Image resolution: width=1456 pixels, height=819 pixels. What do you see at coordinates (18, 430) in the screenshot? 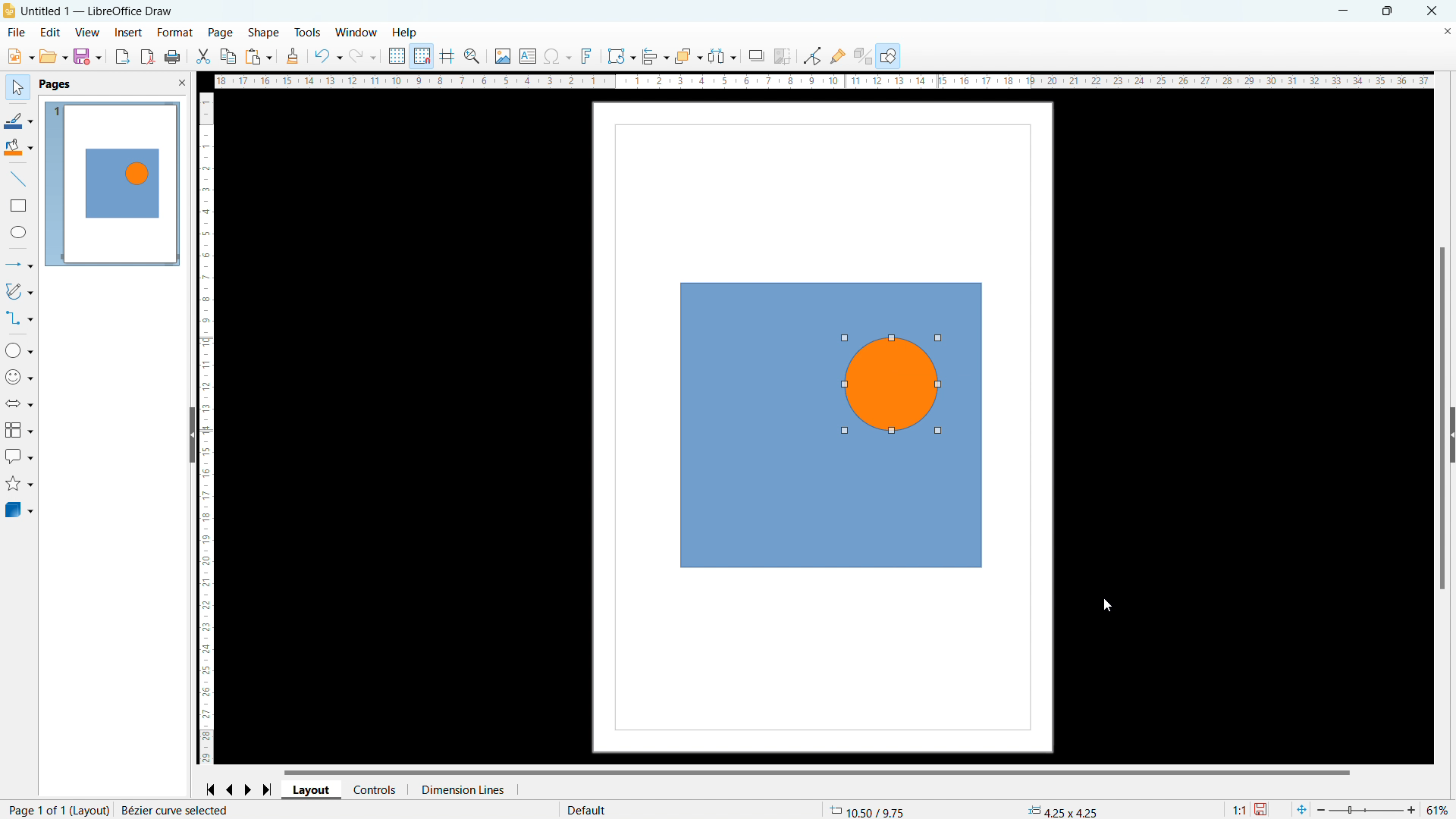
I see `flowchart` at bounding box center [18, 430].